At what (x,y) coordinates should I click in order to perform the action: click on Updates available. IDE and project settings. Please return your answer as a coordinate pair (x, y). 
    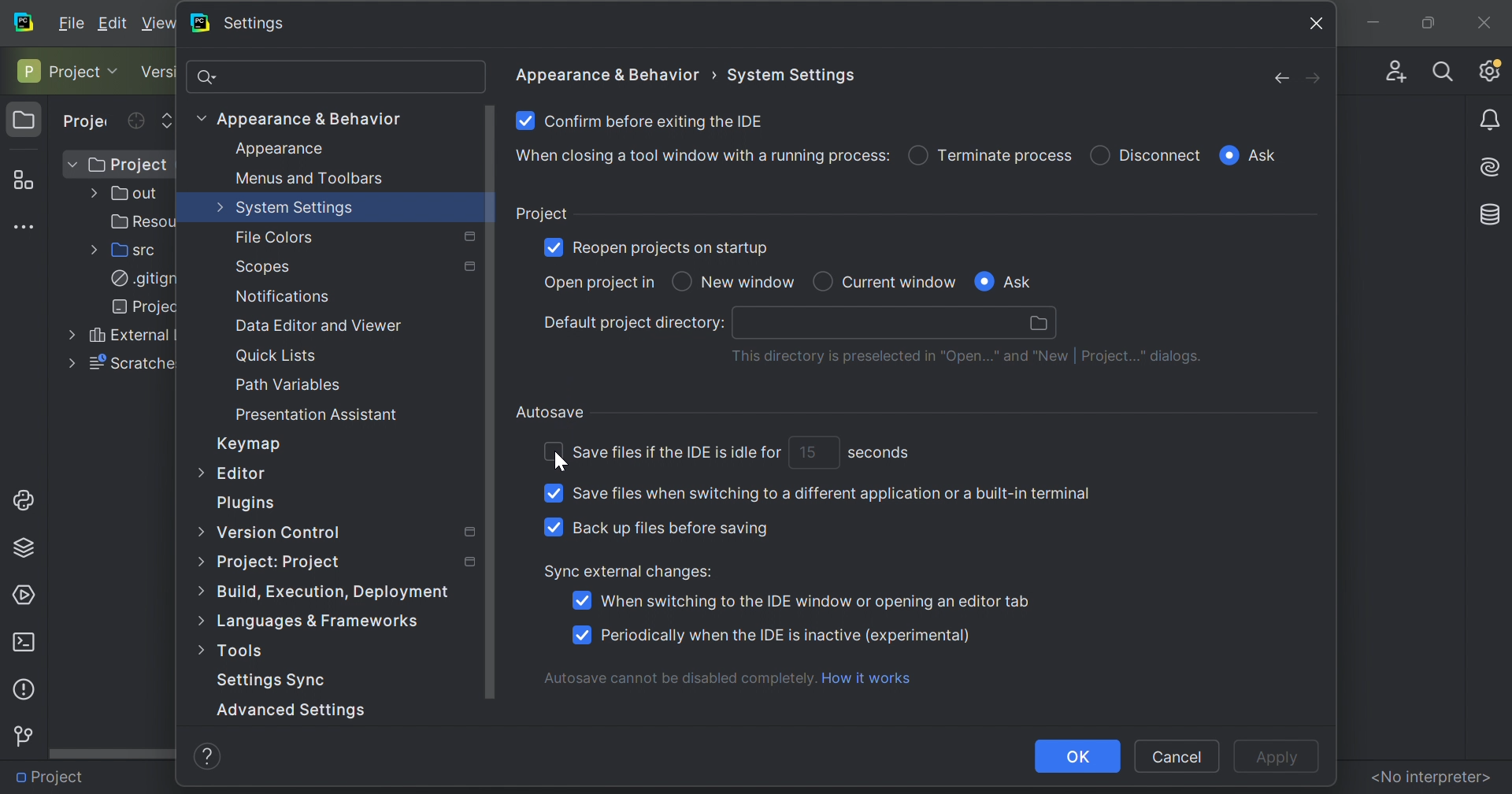
    Looking at the image, I should click on (1490, 70).